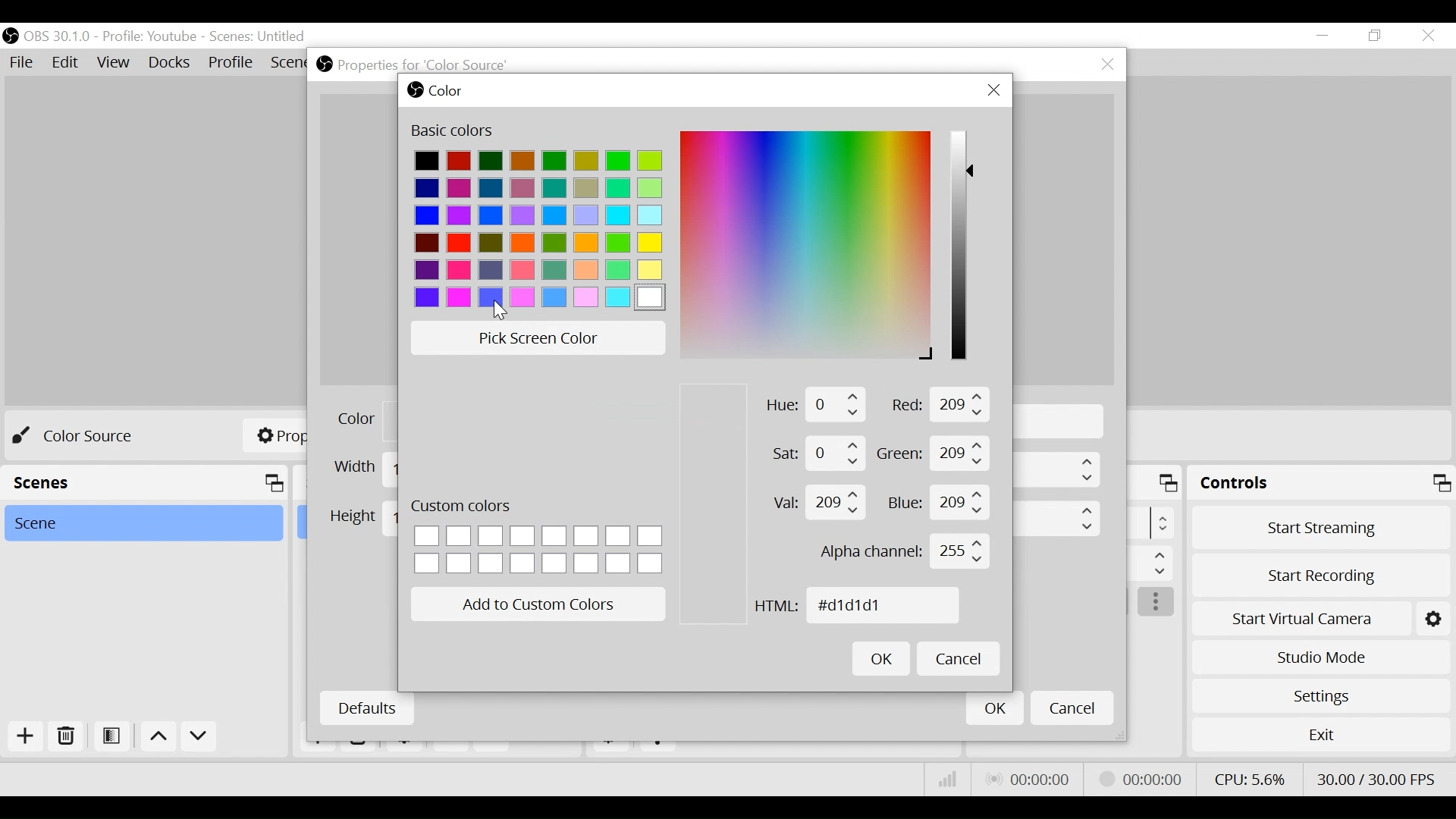 The width and height of the screenshot is (1456, 819). Describe the element at coordinates (501, 309) in the screenshot. I see `Cursor ` at that location.